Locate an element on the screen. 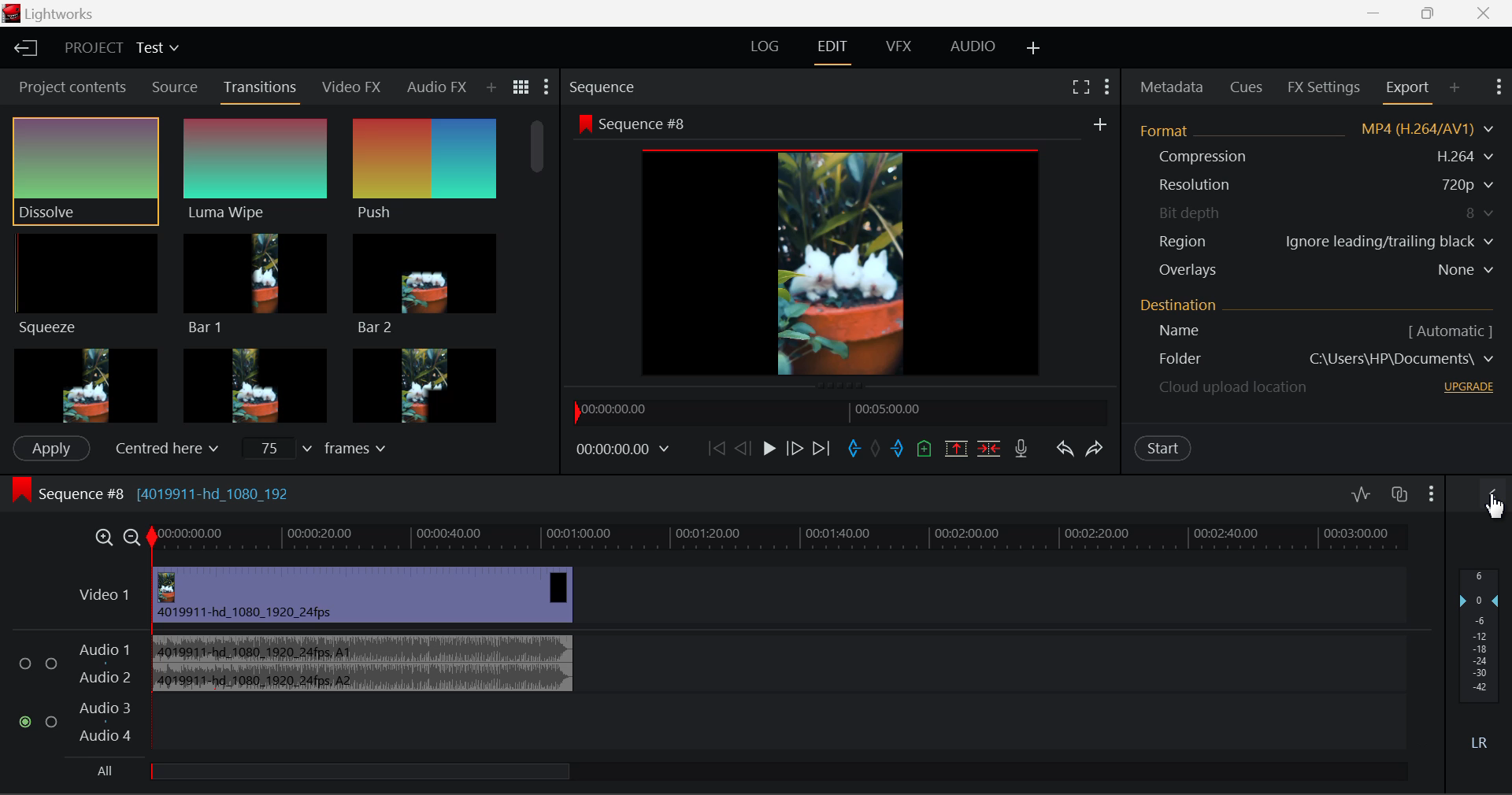 The image size is (1512, 795). Add Panel is located at coordinates (491, 87).